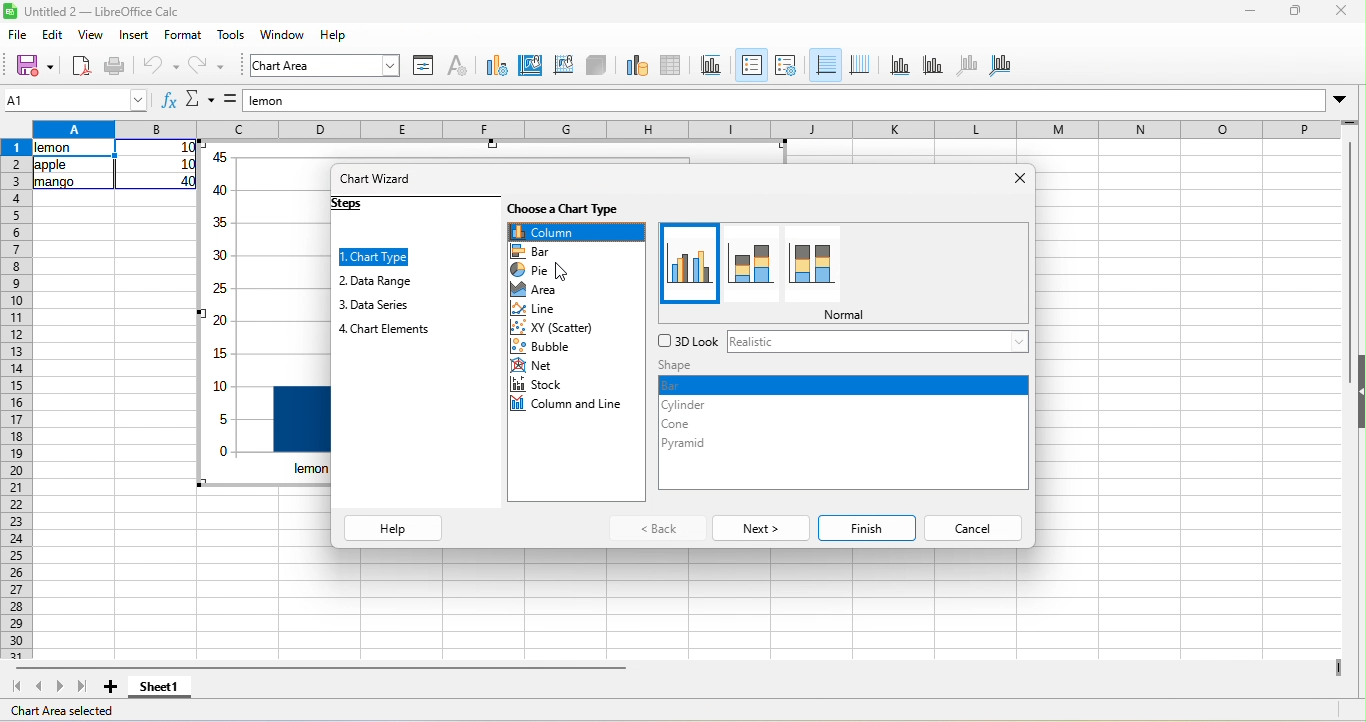 The image size is (1366, 722). What do you see at coordinates (15, 399) in the screenshot?
I see `rows` at bounding box center [15, 399].